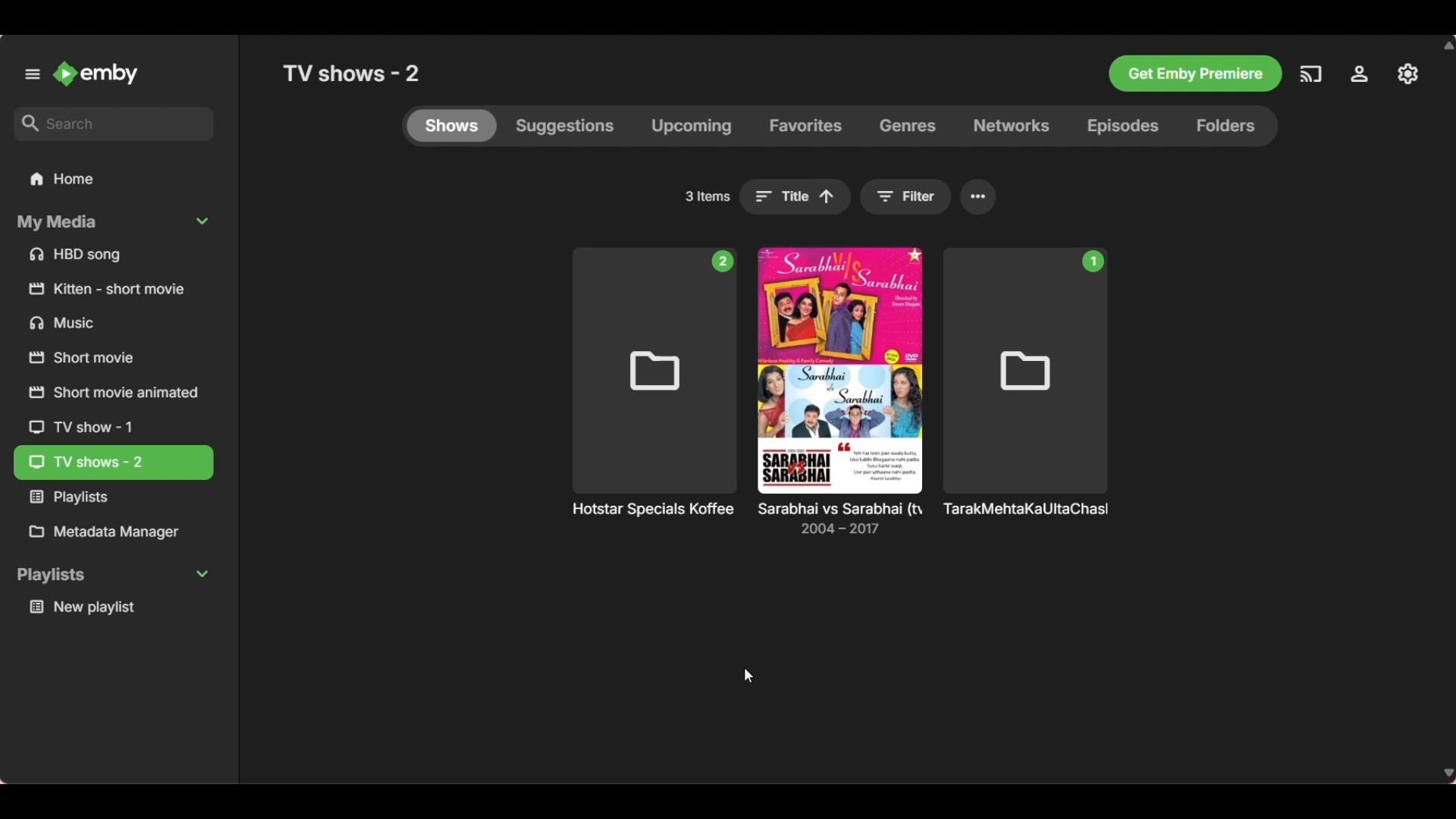 Image resolution: width=1456 pixels, height=819 pixels. I want to click on Favorites, so click(805, 126).